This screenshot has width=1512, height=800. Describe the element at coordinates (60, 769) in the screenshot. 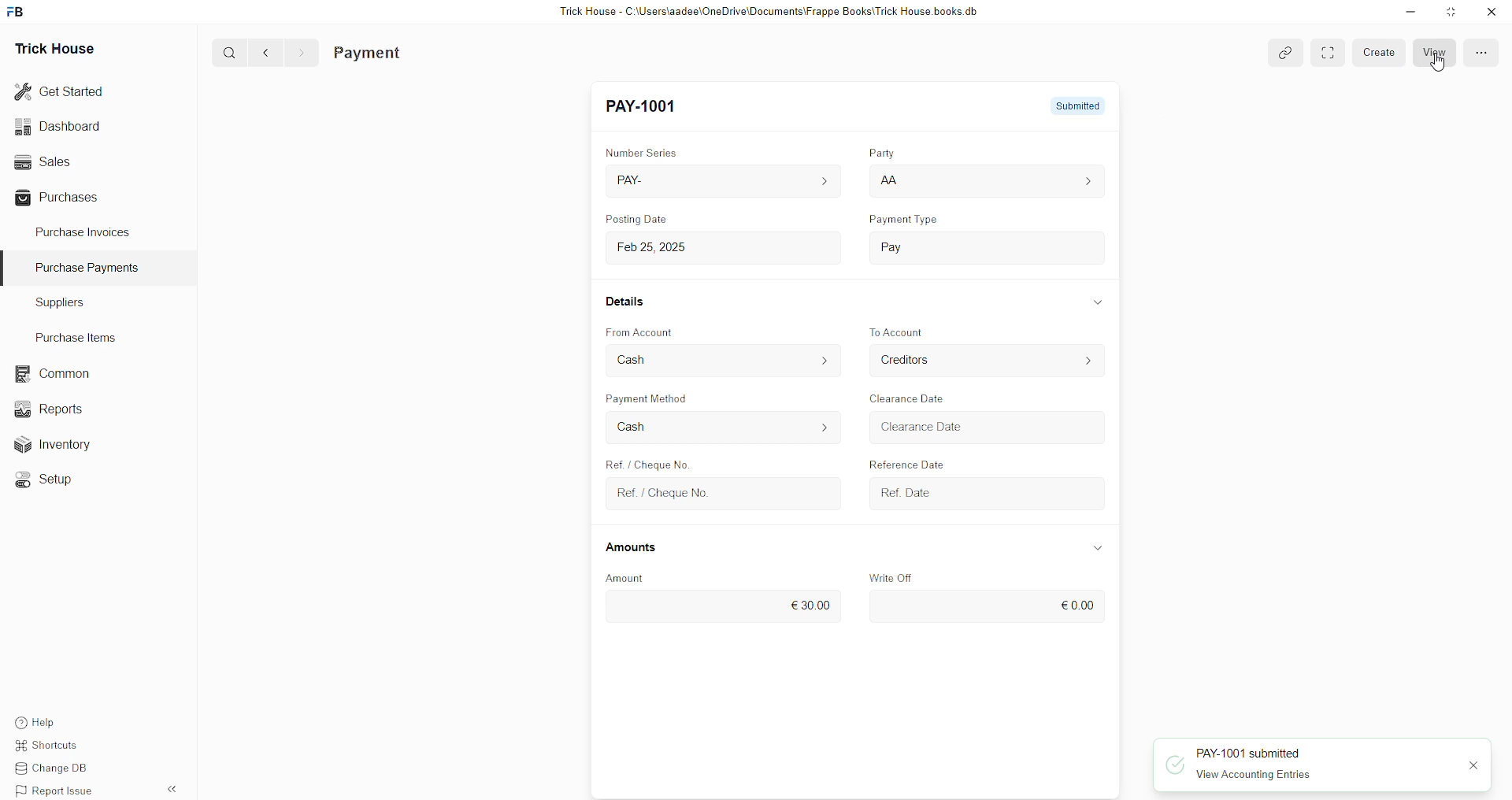

I see `Change DB` at that location.